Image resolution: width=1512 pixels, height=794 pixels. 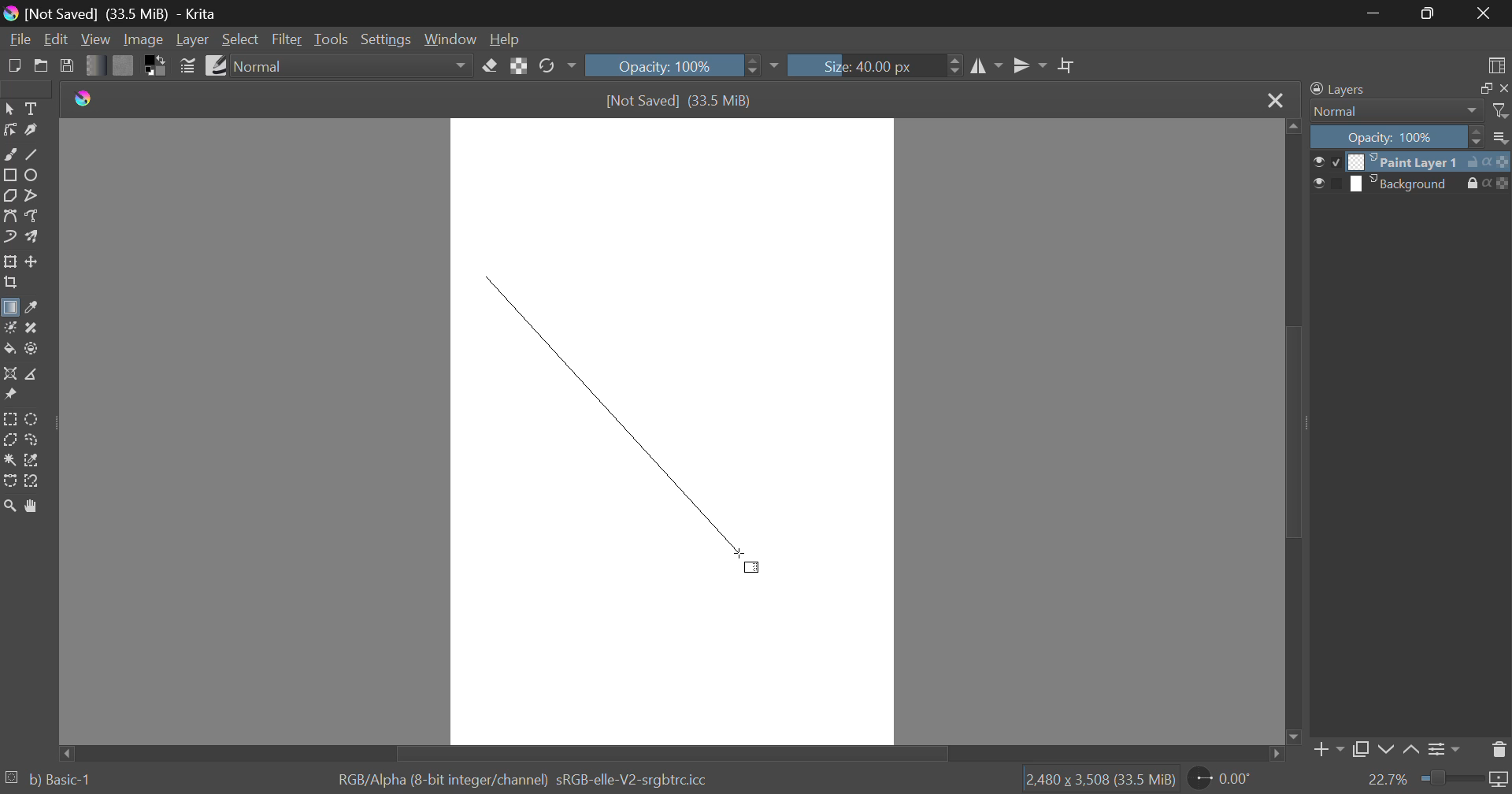 I want to click on preview, so click(x=1329, y=161).